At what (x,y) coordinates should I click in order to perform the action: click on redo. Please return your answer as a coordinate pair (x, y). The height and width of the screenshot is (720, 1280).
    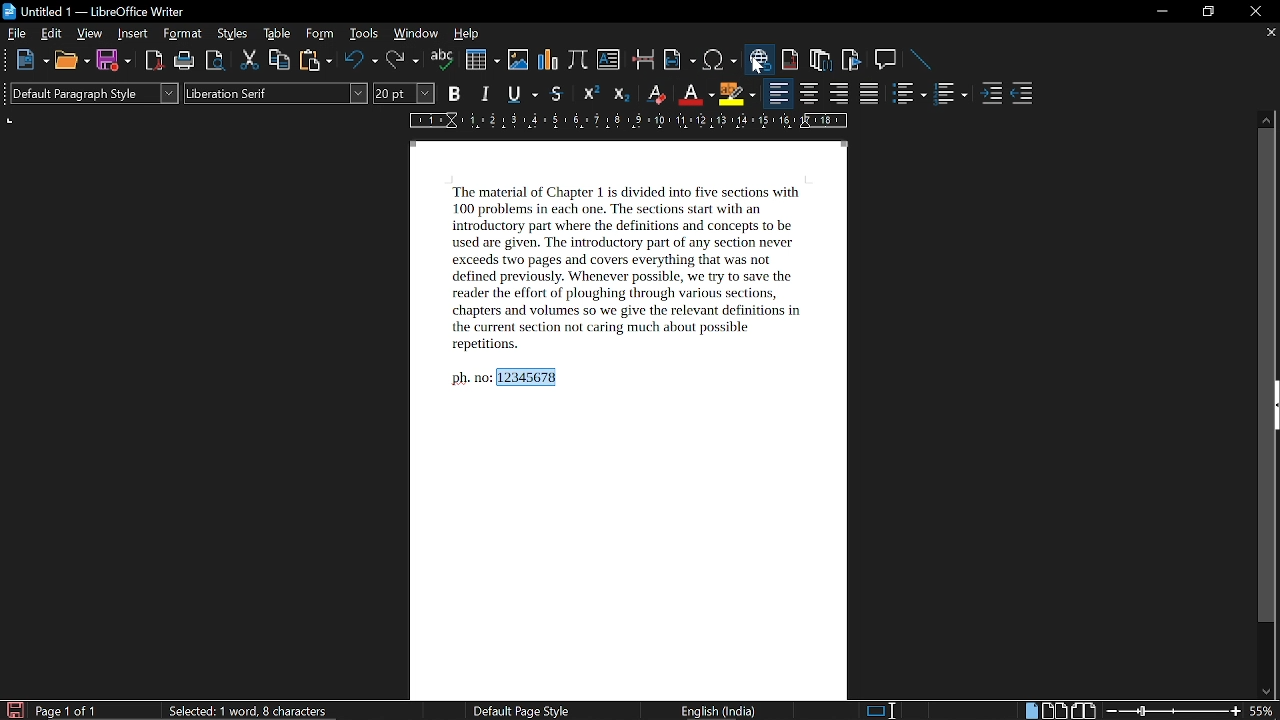
    Looking at the image, I should click on (401, 61).